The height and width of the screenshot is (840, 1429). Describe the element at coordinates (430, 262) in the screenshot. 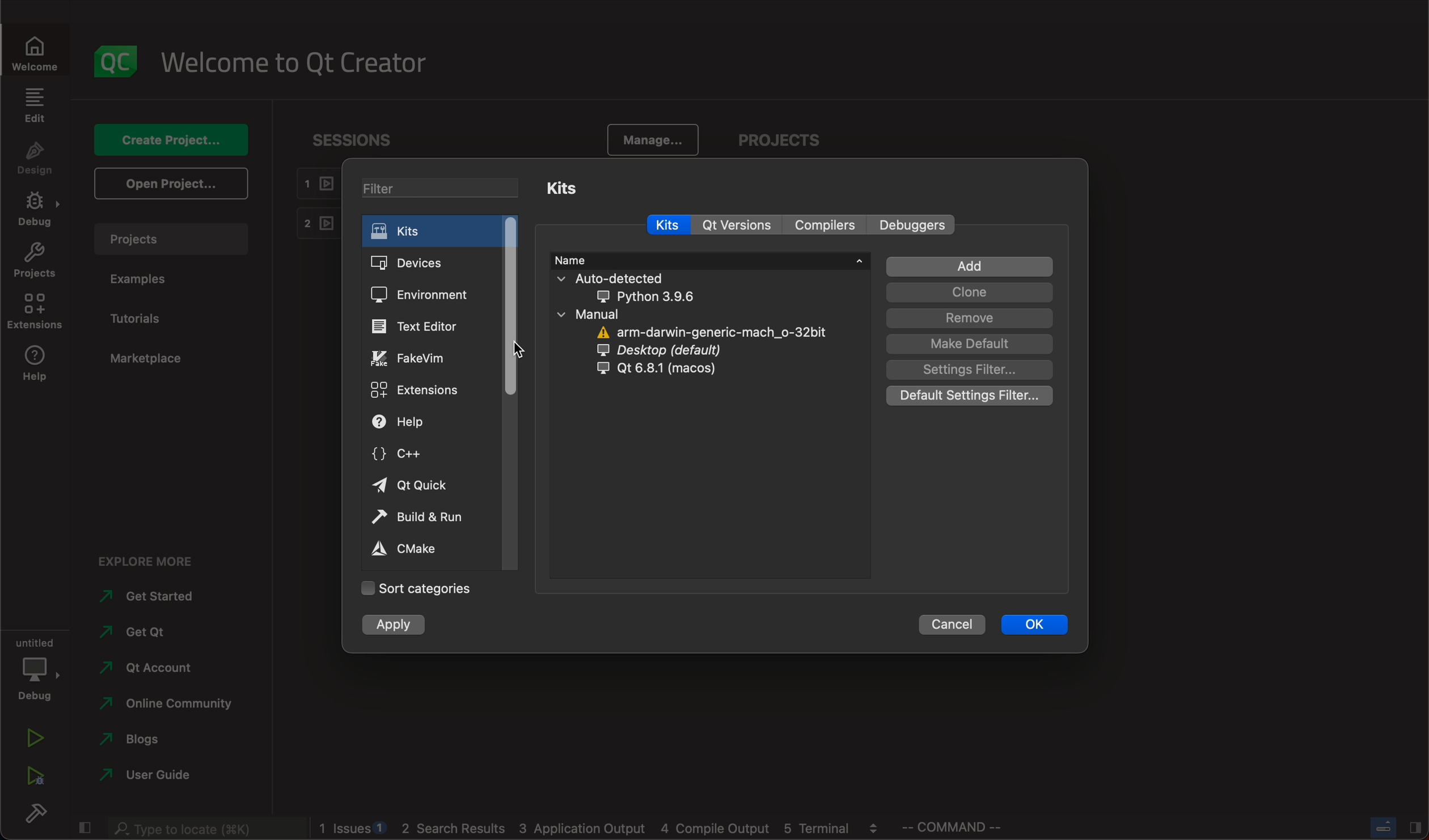

I see `devices` at that location.